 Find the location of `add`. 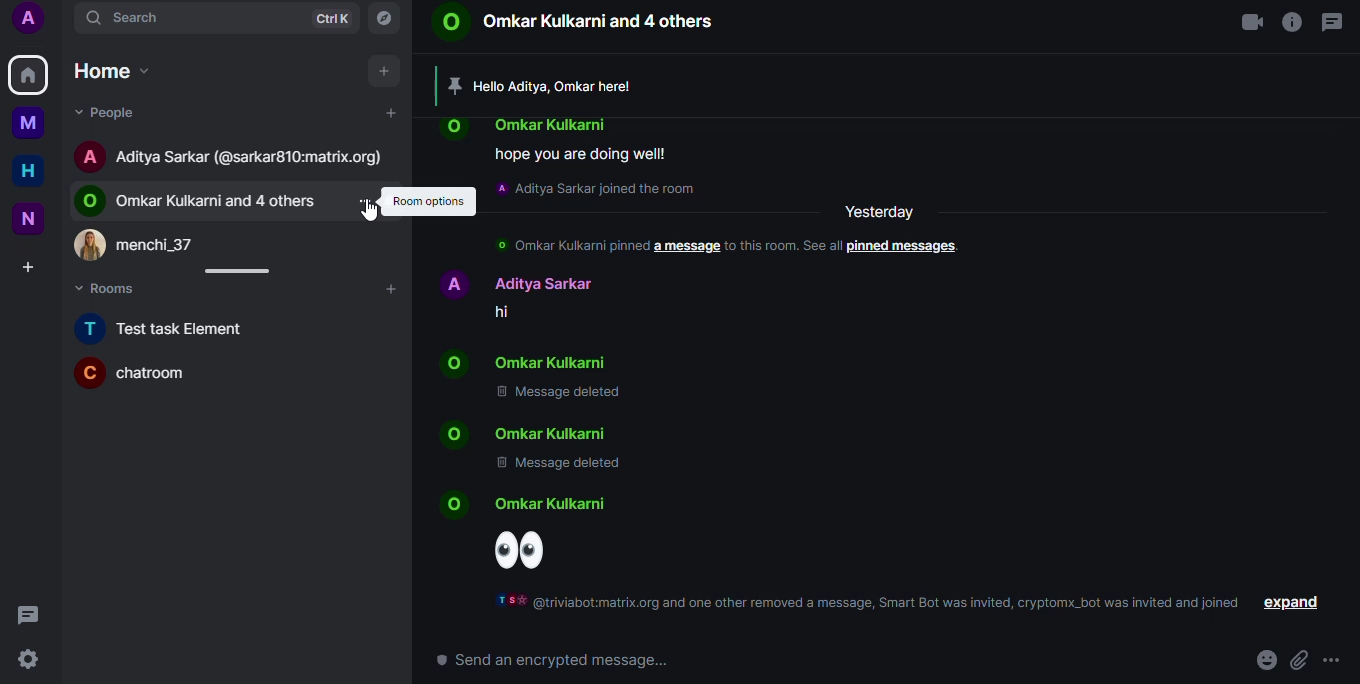

add is located at coordinates (383, 70).